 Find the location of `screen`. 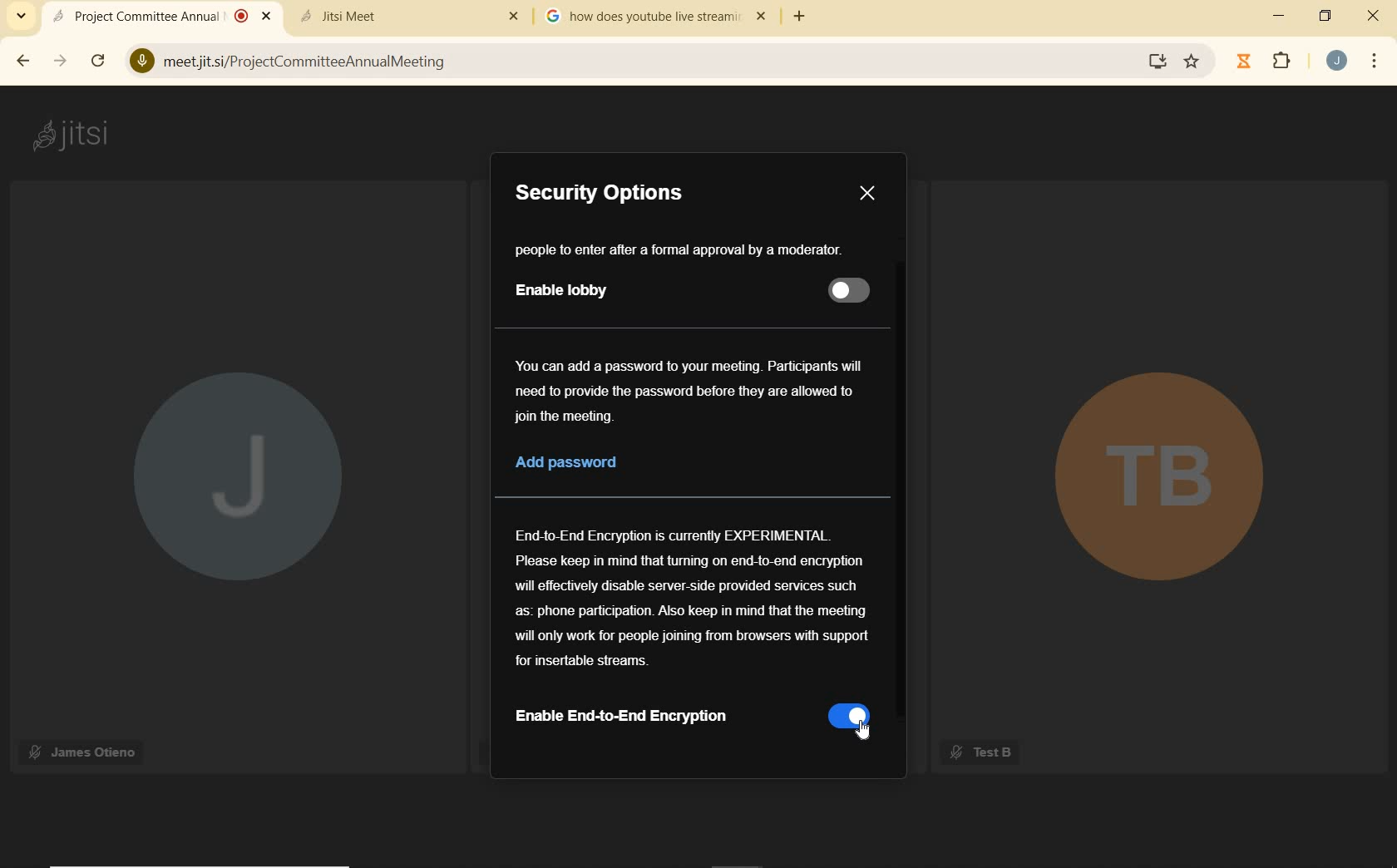

screen is located at coordinates (1157, 62).